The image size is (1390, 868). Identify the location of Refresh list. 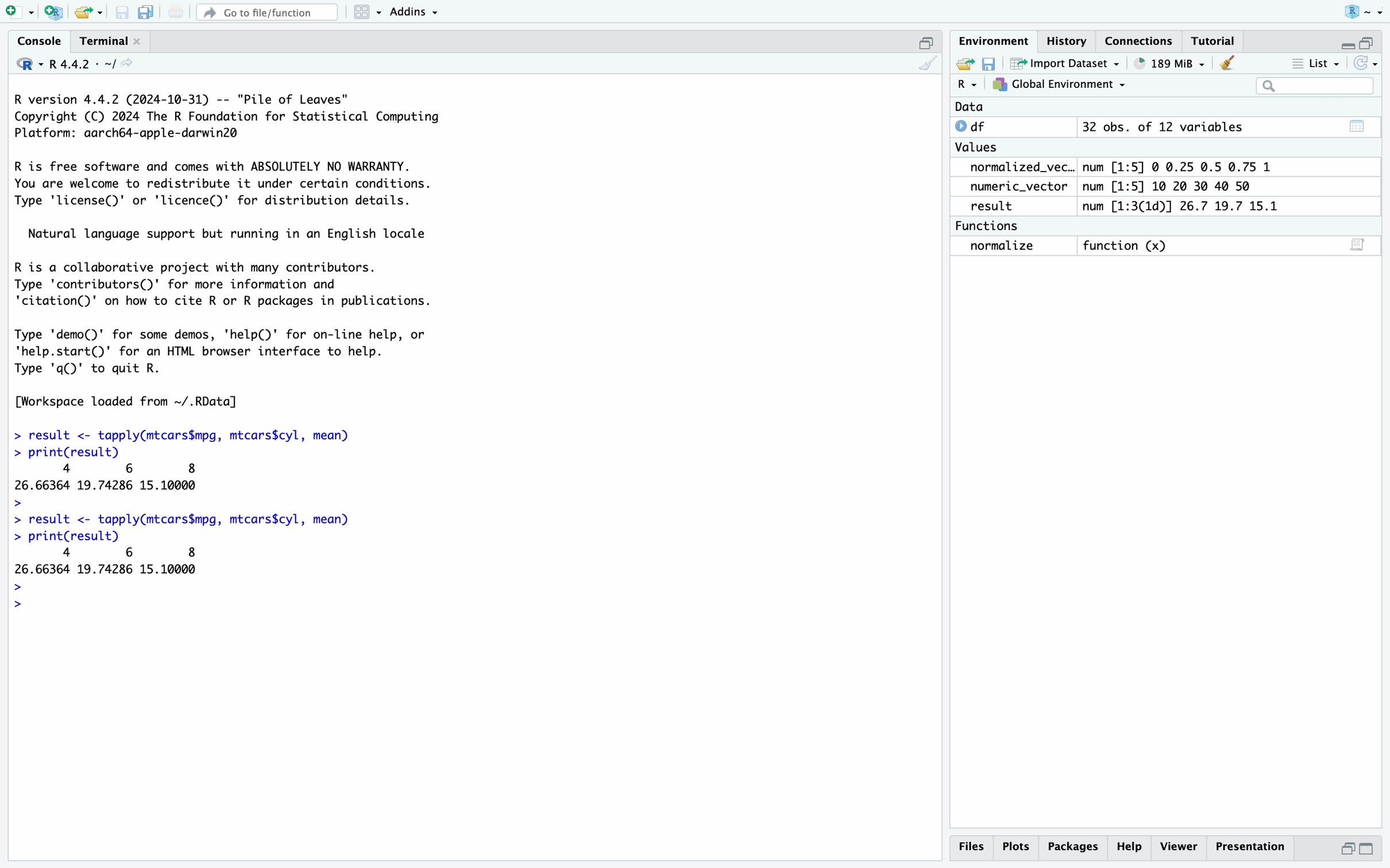
(1365, 63).